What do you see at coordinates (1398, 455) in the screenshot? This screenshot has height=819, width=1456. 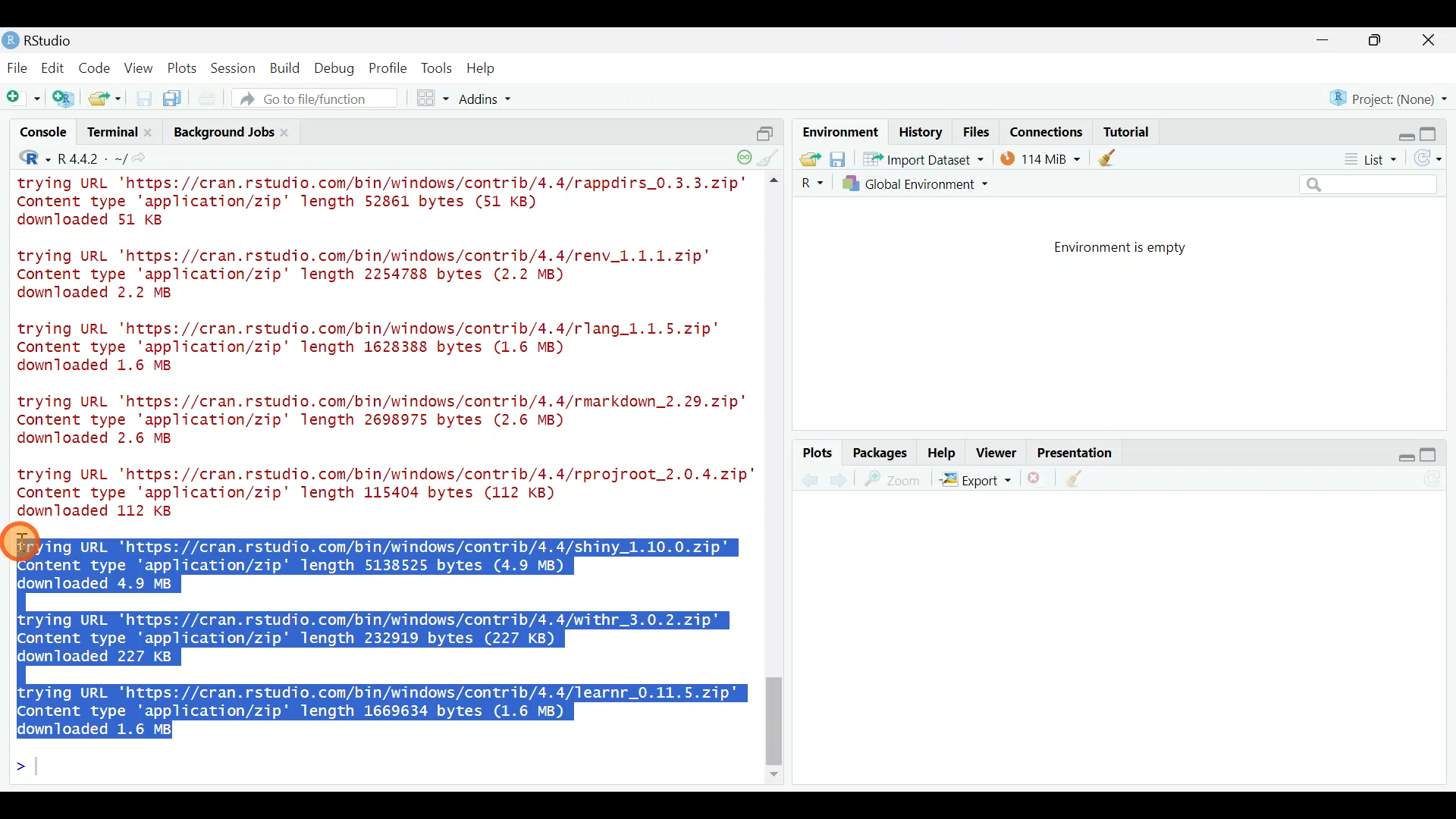 I see `Restore down` at bounding box center [1398, 455].